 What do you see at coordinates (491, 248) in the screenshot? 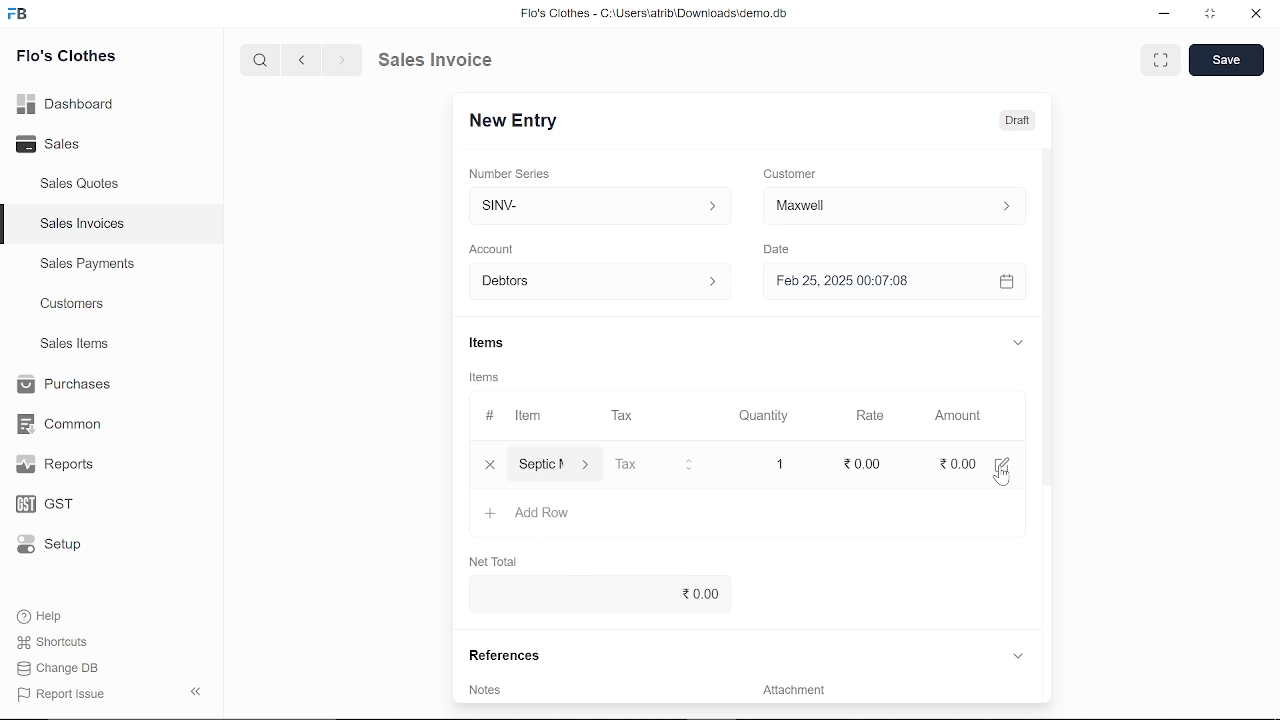
I see `‘Account` at bounding box center [491, 248].